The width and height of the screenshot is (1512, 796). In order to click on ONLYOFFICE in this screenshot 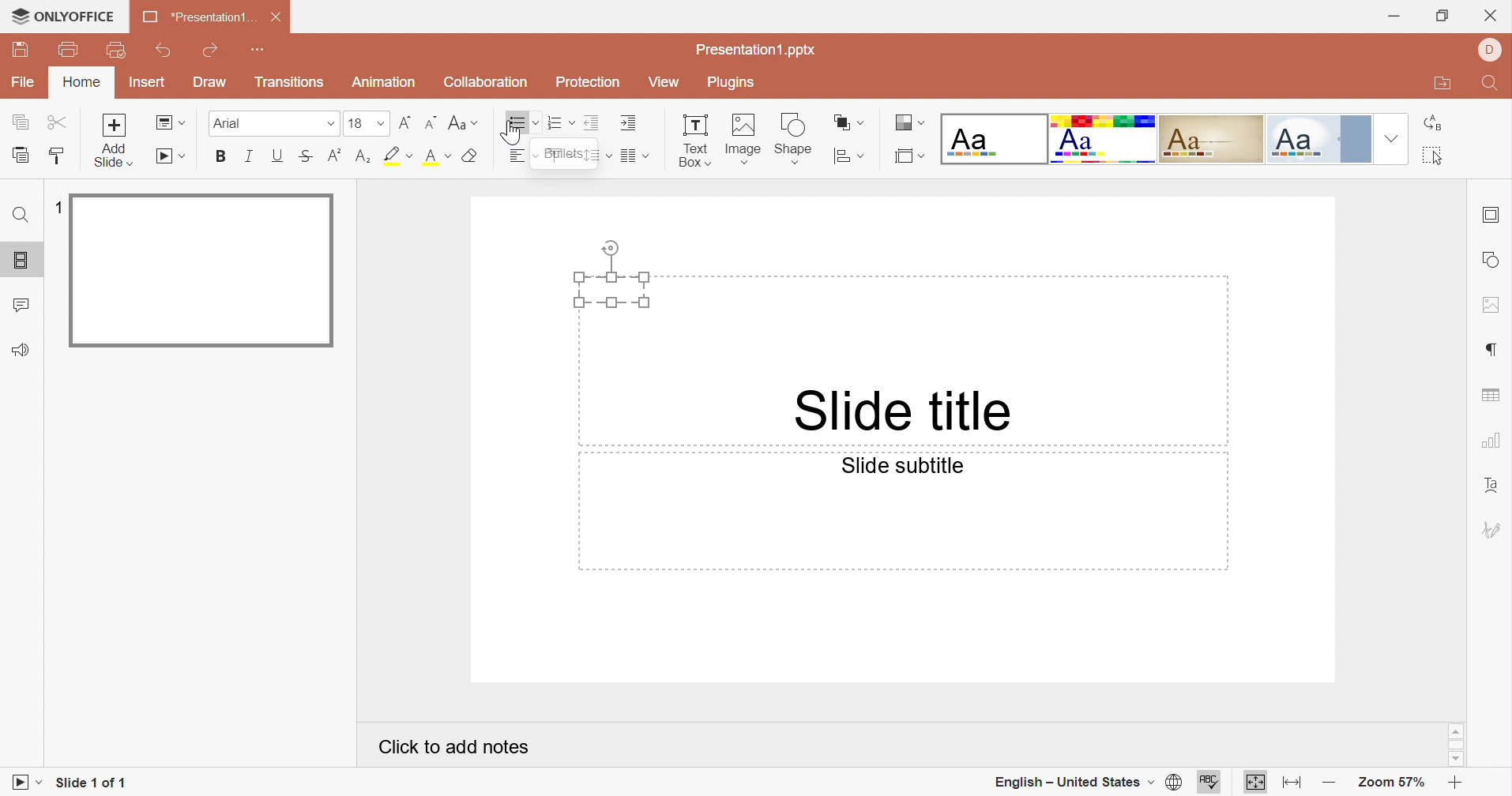, I will do `click(74, 17)`.